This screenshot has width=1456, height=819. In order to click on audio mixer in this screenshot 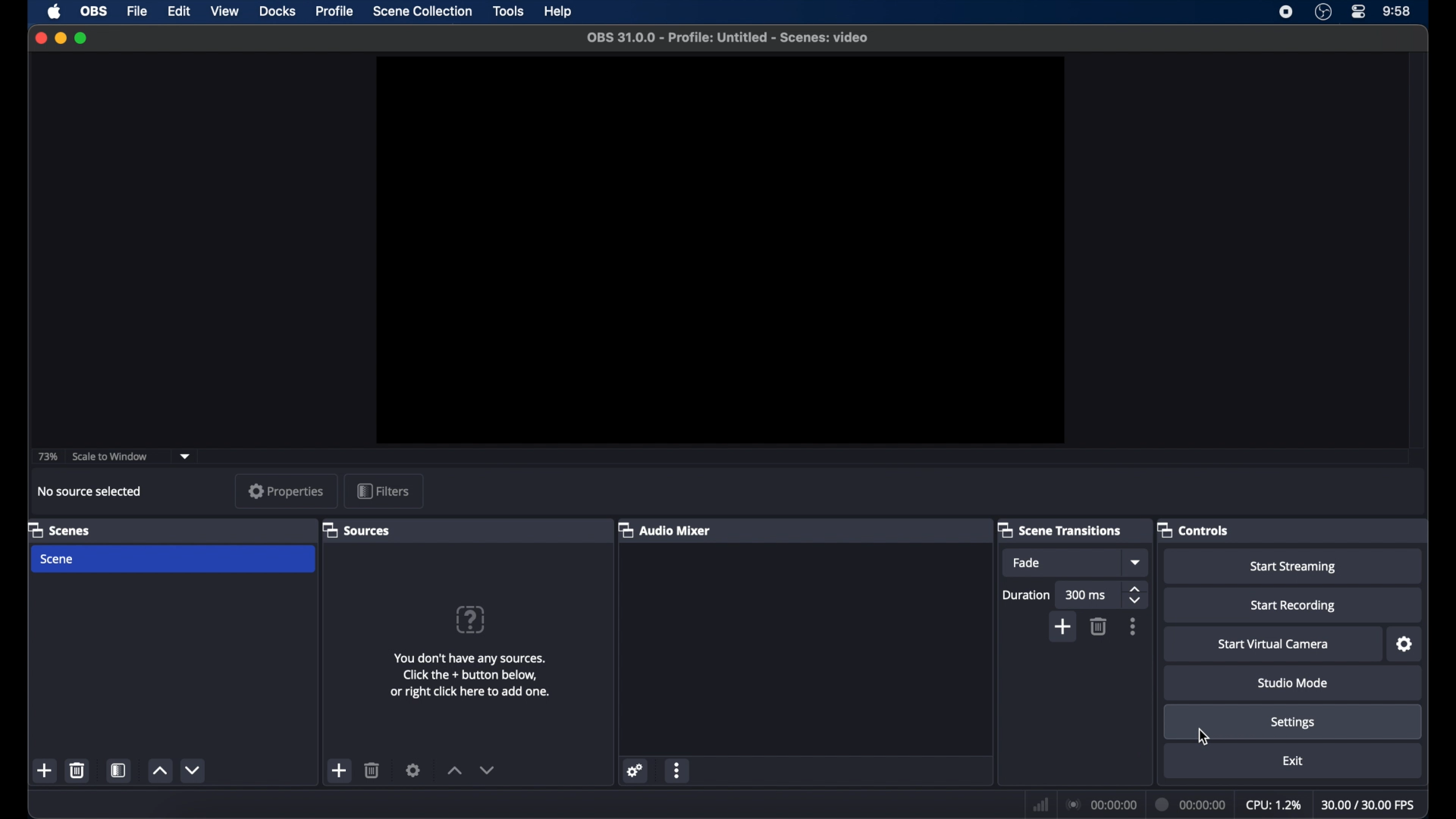, I will do `click(665, 529)`.